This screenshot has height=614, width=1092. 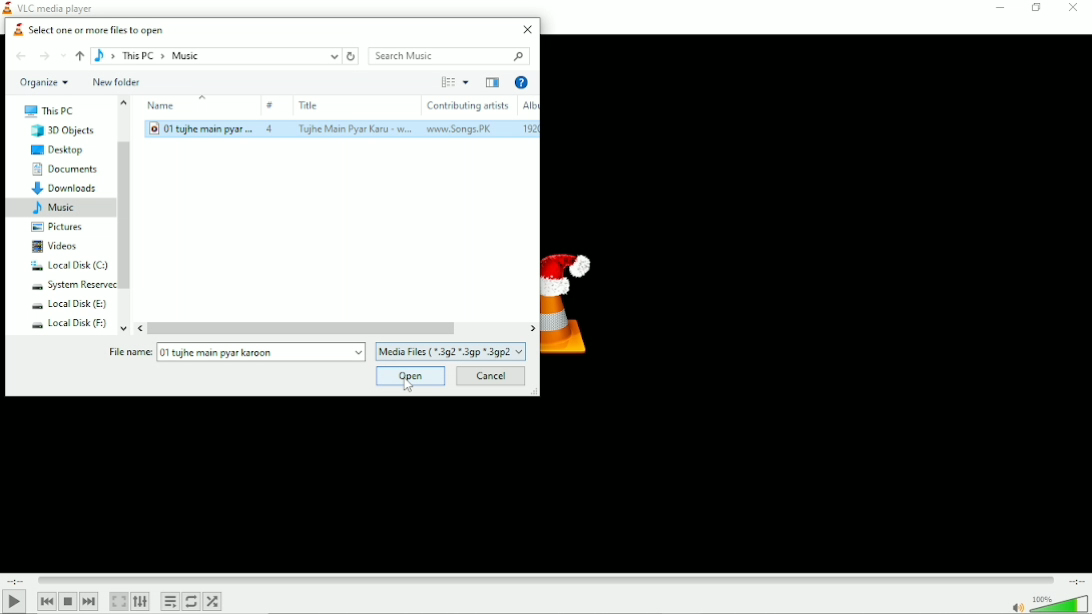 What do you see at coordinates (59, 131) in the screenshot?
I see `3D Objects` at bounding box center [59, 131].